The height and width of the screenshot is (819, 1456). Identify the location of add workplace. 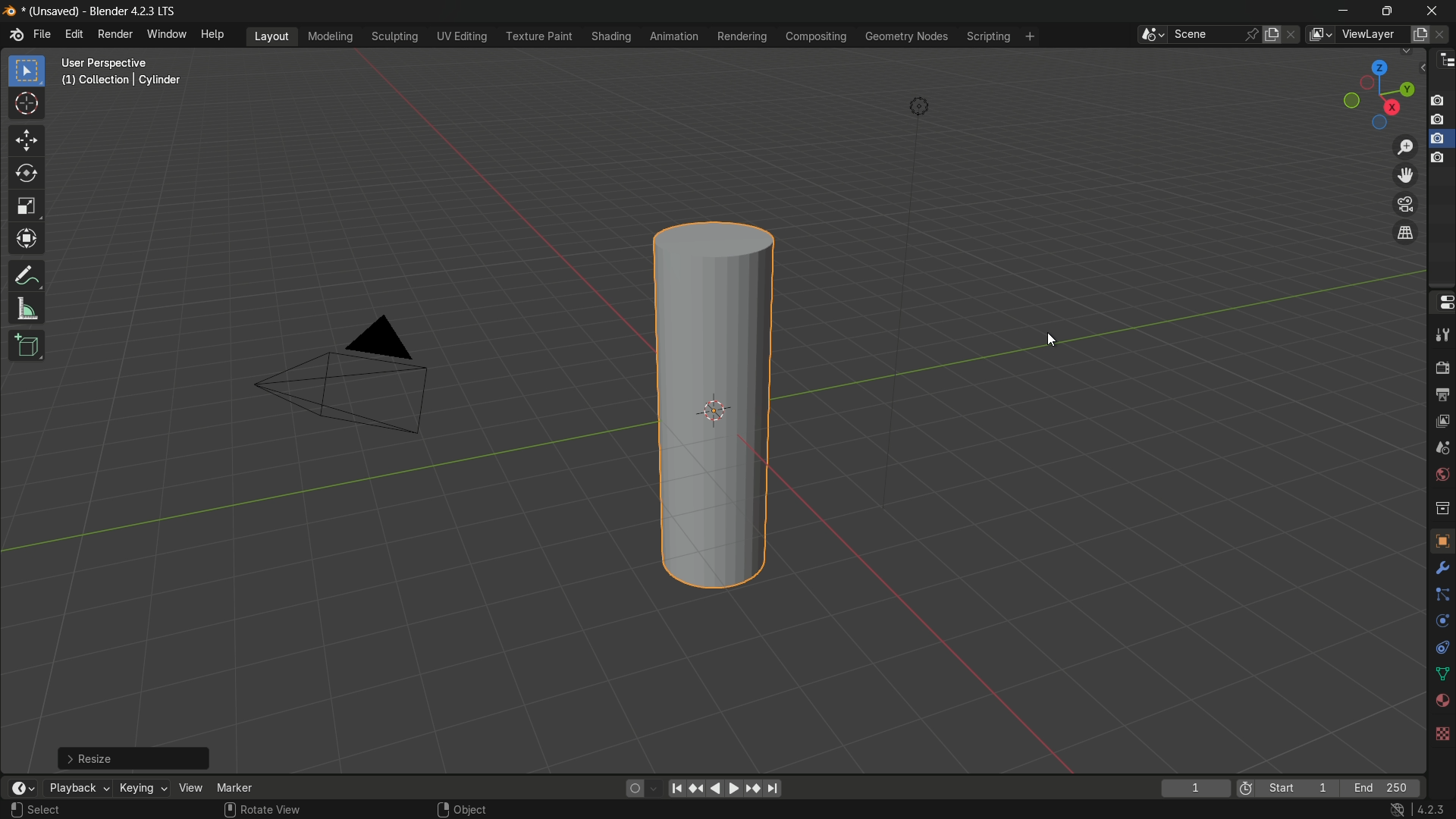
(1032, 36).